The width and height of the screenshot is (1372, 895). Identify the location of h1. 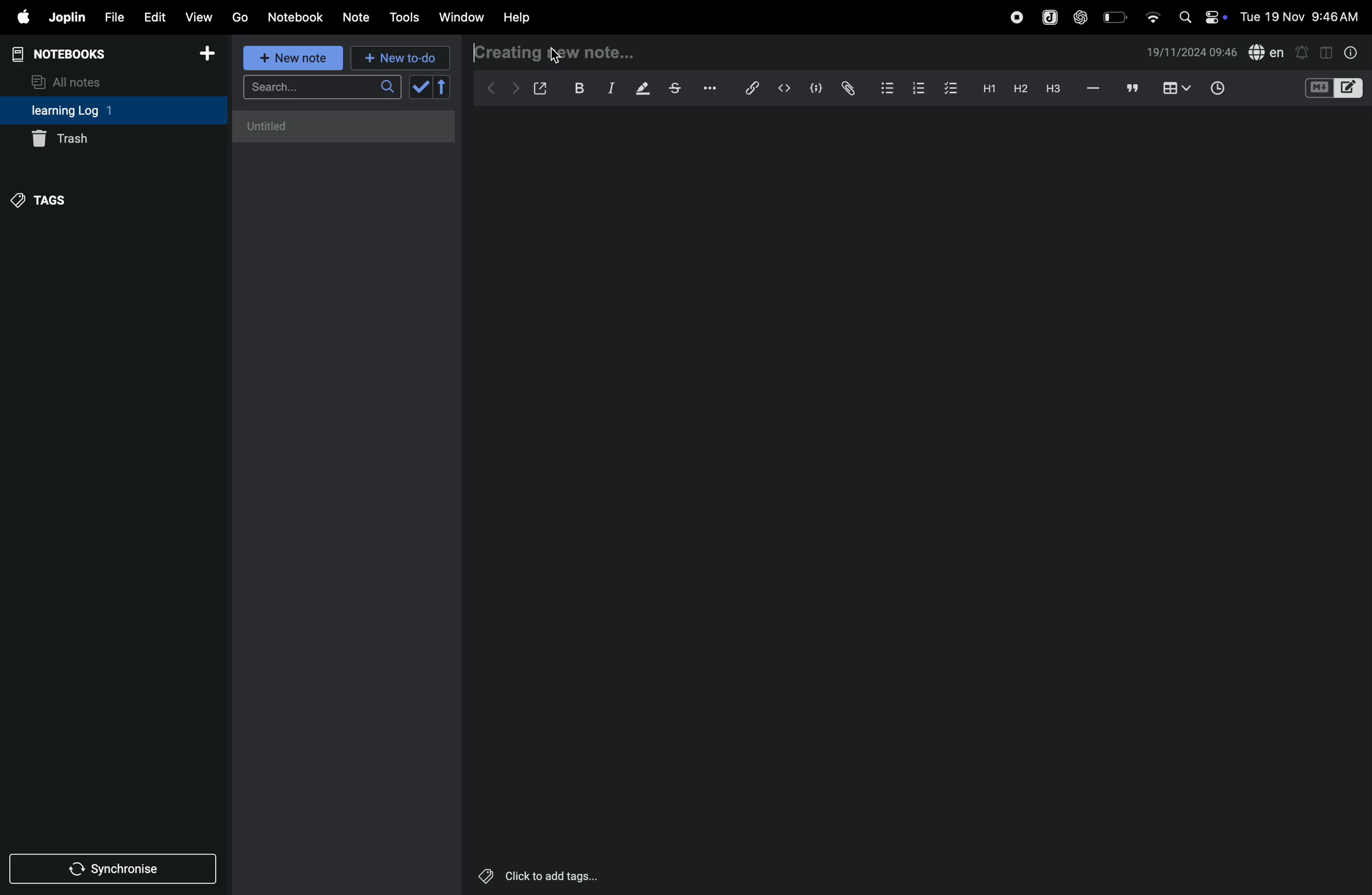
(986, 88).